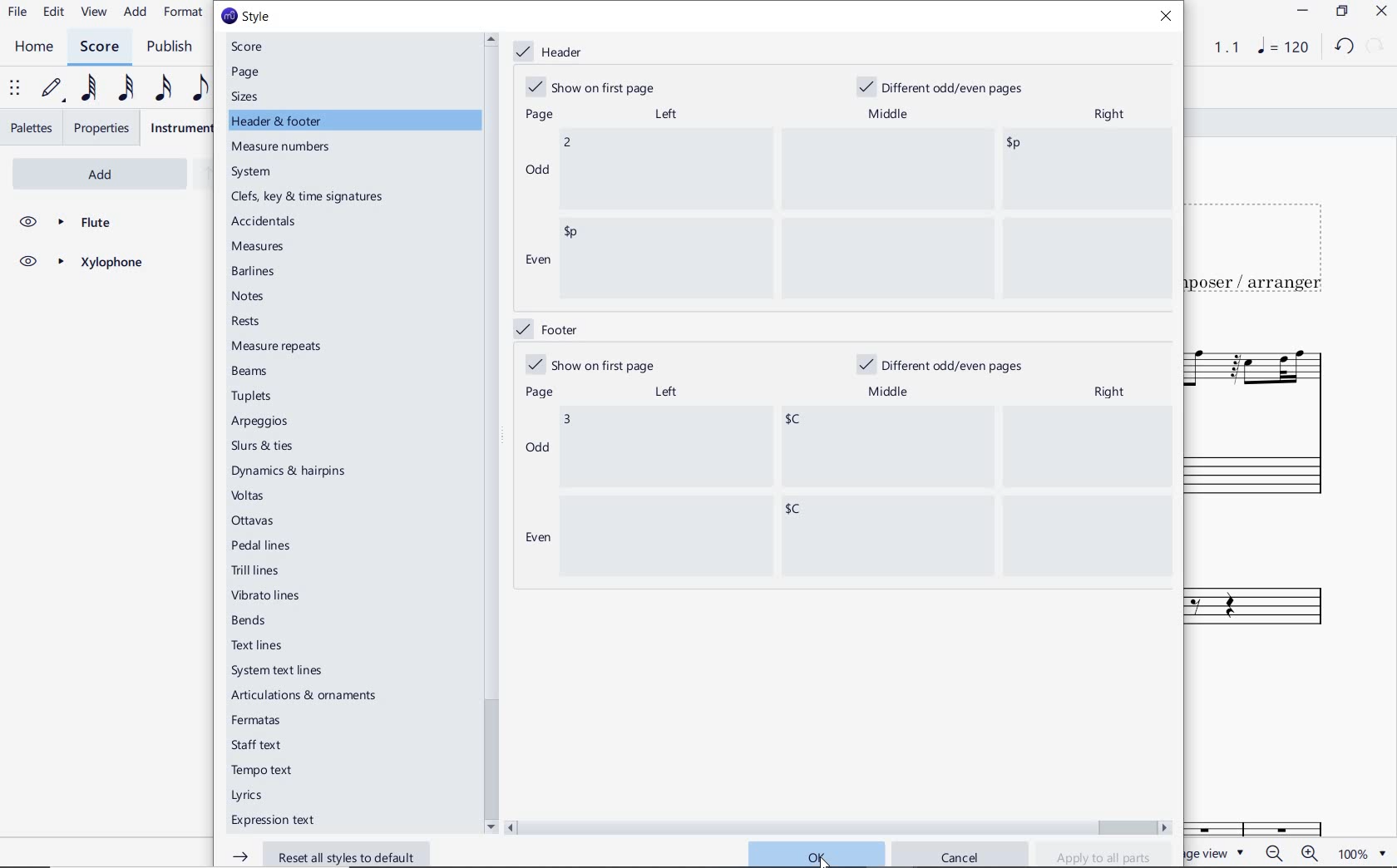 The image size is (1397, 868). I want to click on page, so click(536, 116).